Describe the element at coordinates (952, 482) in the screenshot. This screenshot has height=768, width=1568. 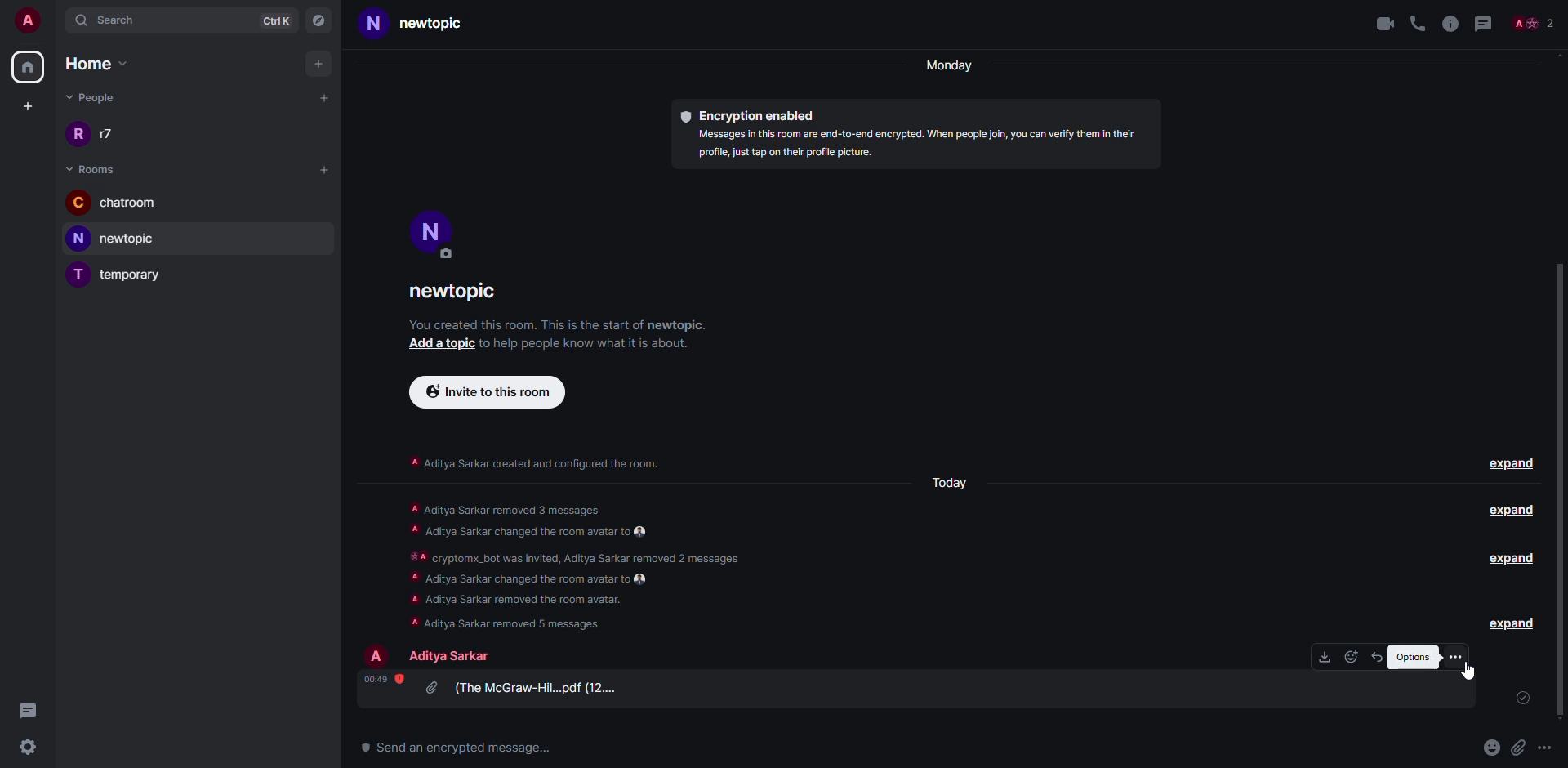
I see `today` at that location.